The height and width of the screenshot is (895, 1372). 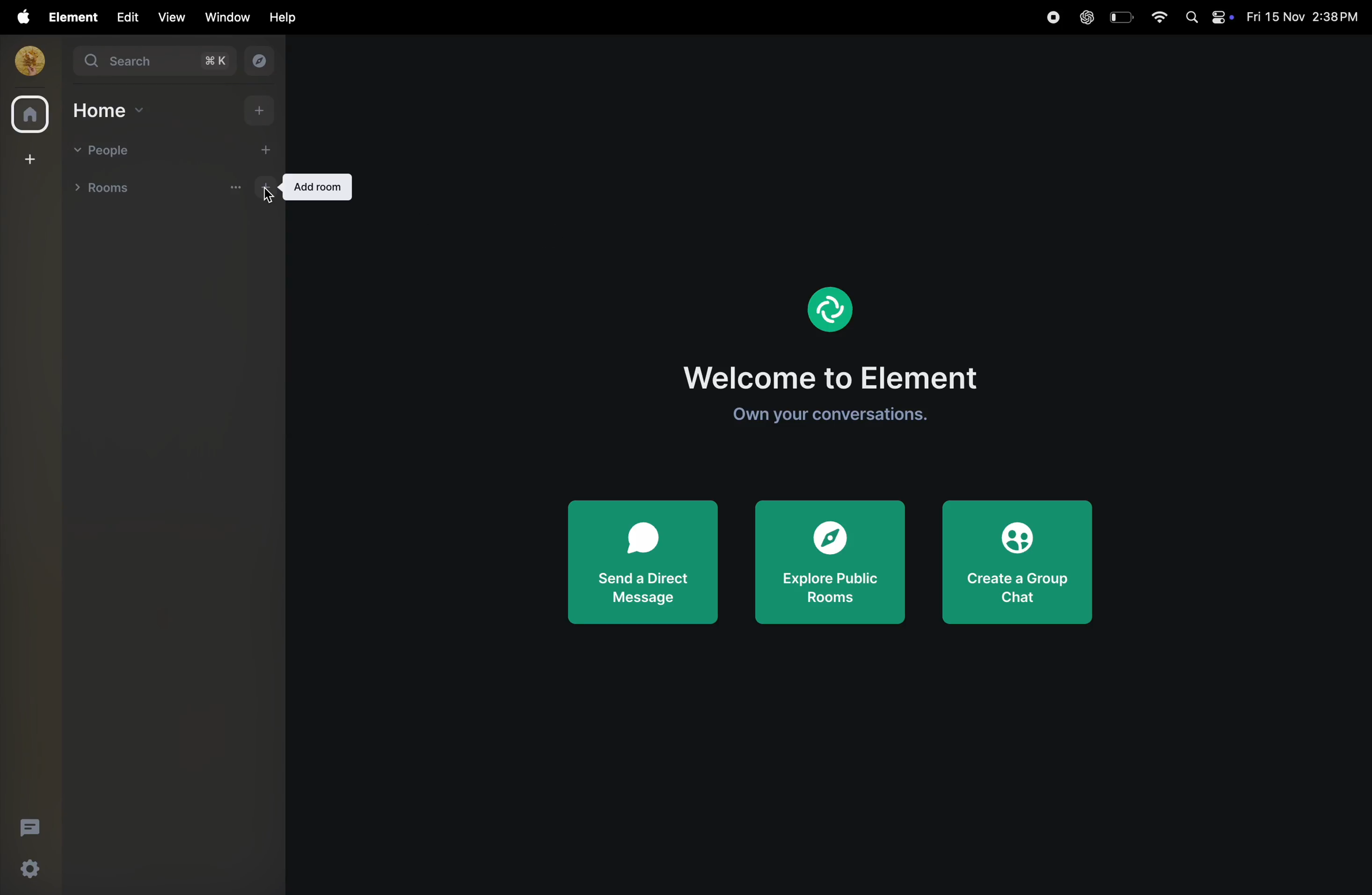 I want to click on add people, so click(x=258, y=149).